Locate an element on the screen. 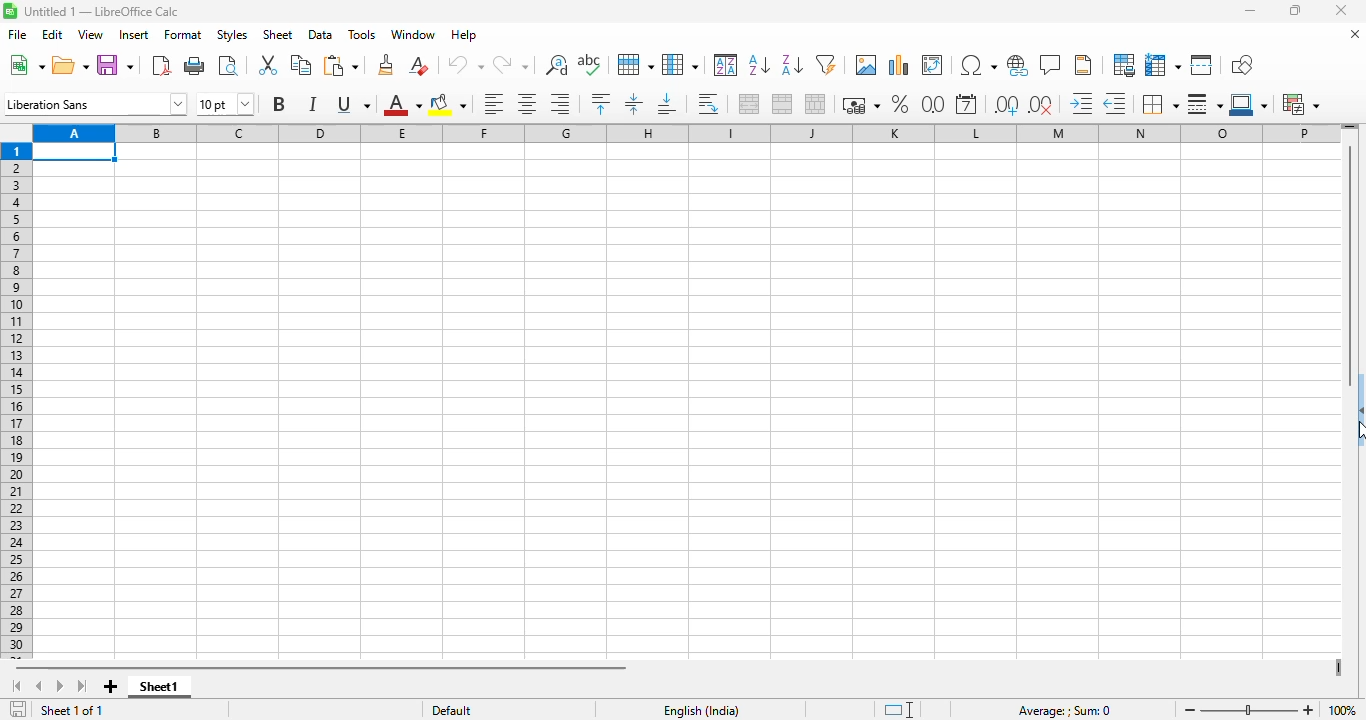  format as number is located at coordinates (934, 104).